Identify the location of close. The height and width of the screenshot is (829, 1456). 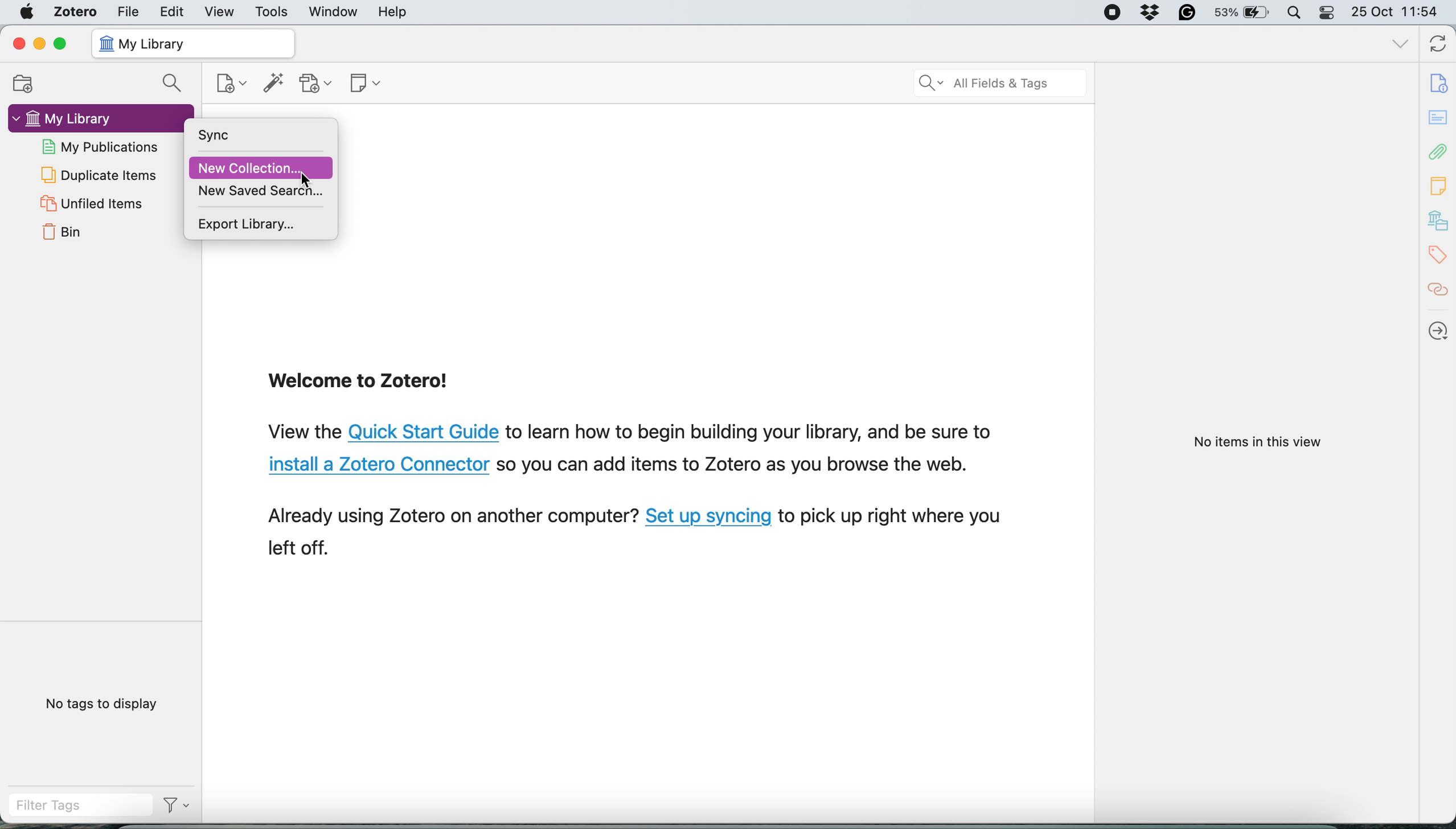
(18, 43).